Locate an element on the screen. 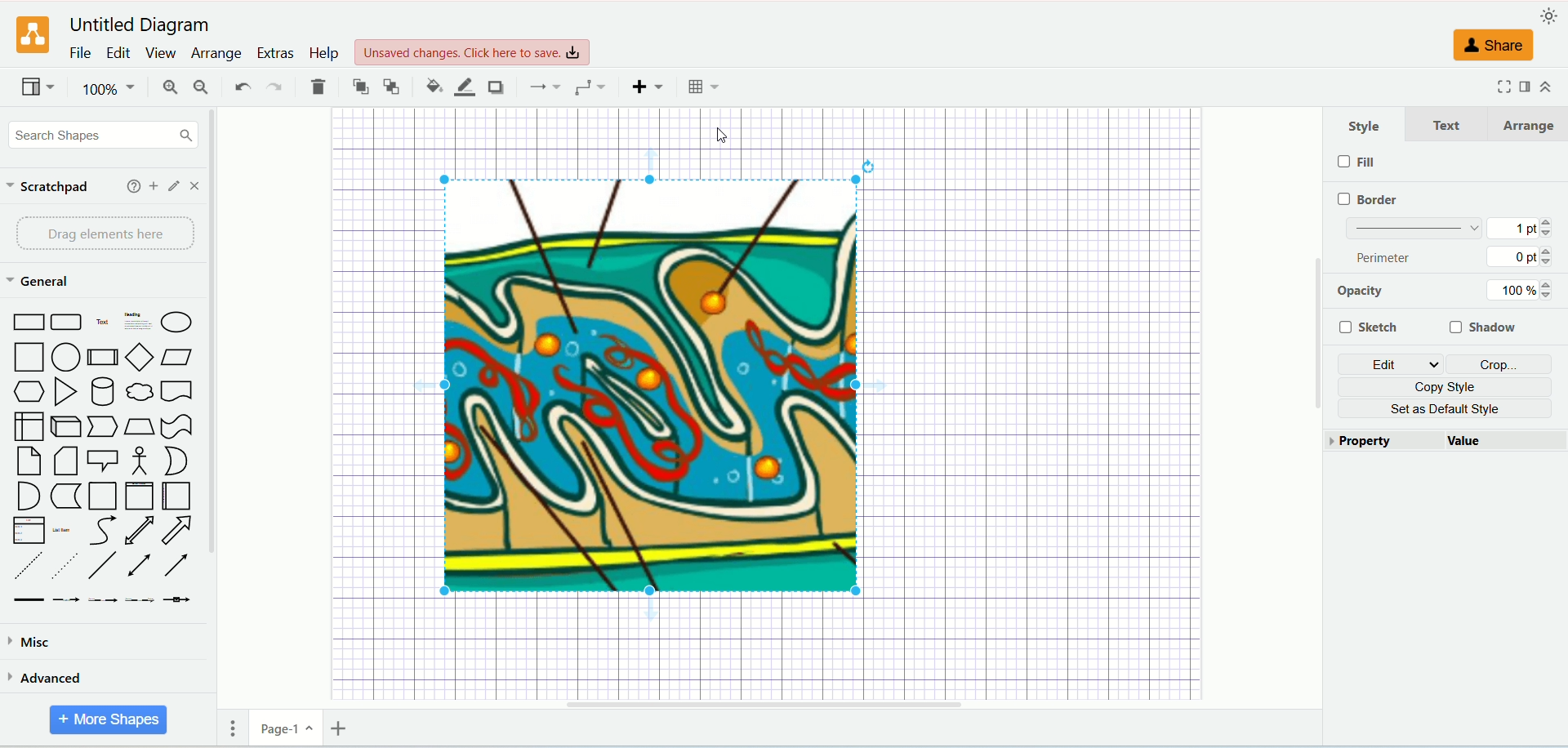 This screenshot has width=1568, height=748. delete is located at coordinates (318, 88).